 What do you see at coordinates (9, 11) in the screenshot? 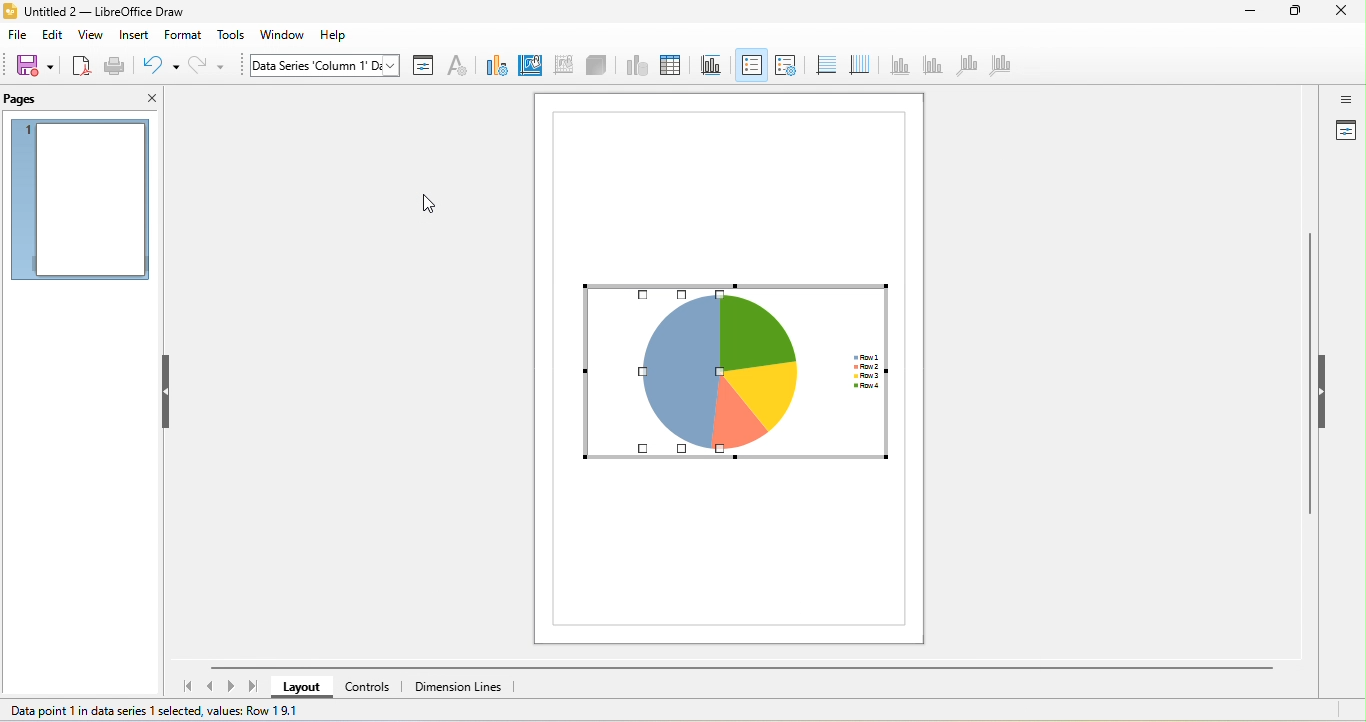
I see `libre office draw logo` at bounding box center [9, 11].